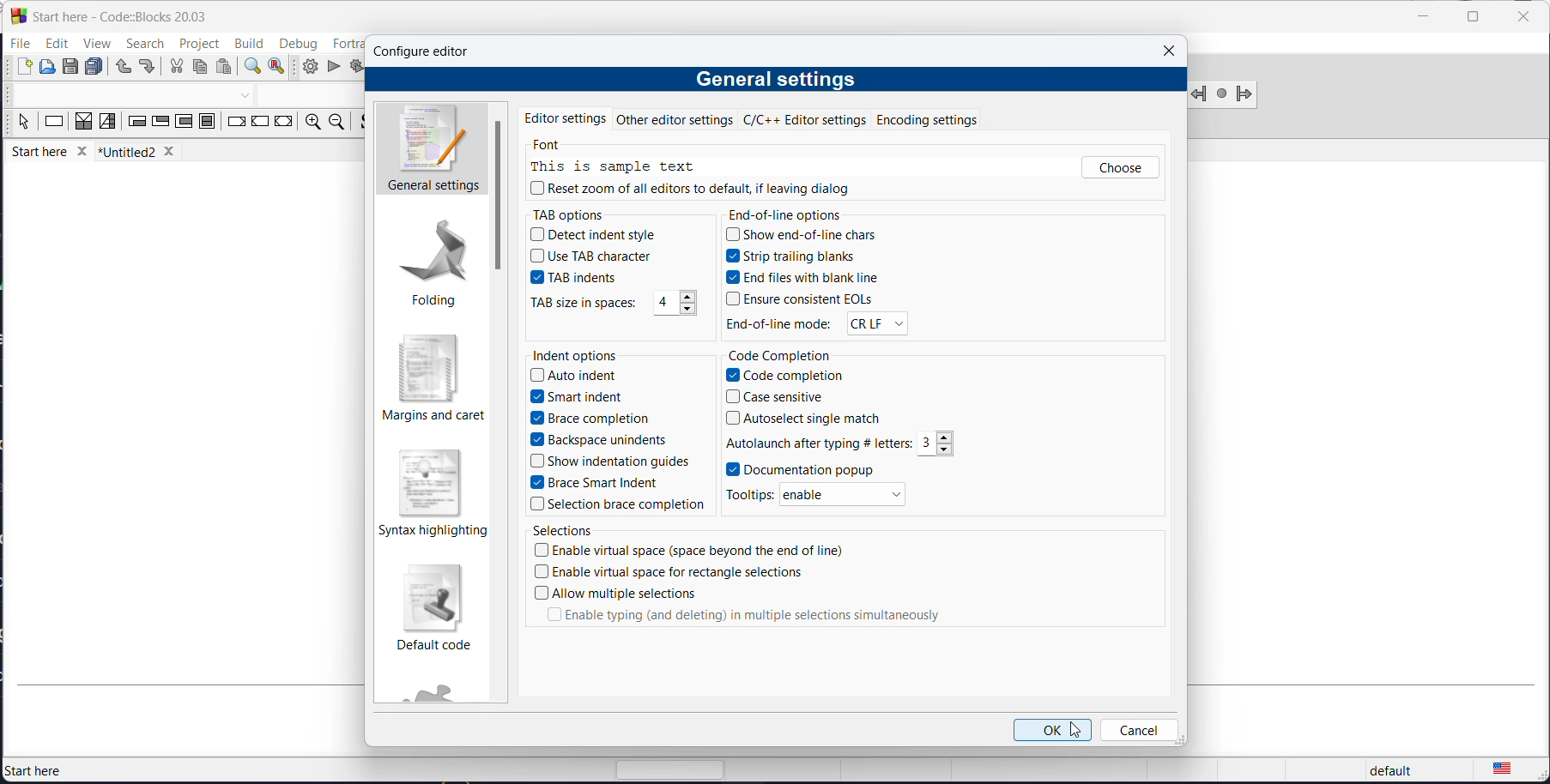  What do you see at coordinates (260, 124) in the screenshot?
I see `continue instruction` at bounding box center [260, 124].